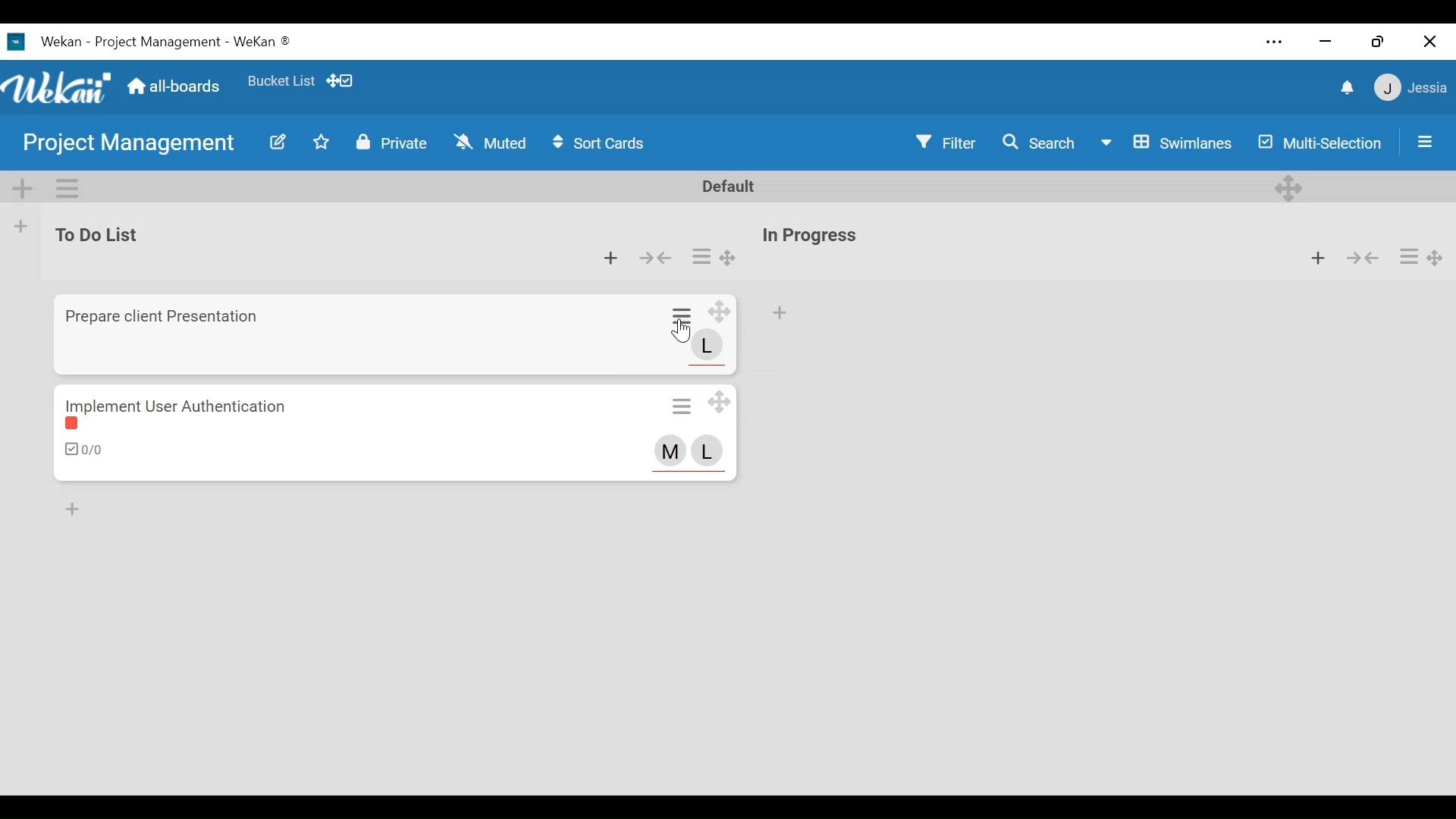 The image size is (1456, 819). What do you see at coordinates (67, 187) in the screenshot?
I see `Swimlane actions` at bounding box center [67, 187].